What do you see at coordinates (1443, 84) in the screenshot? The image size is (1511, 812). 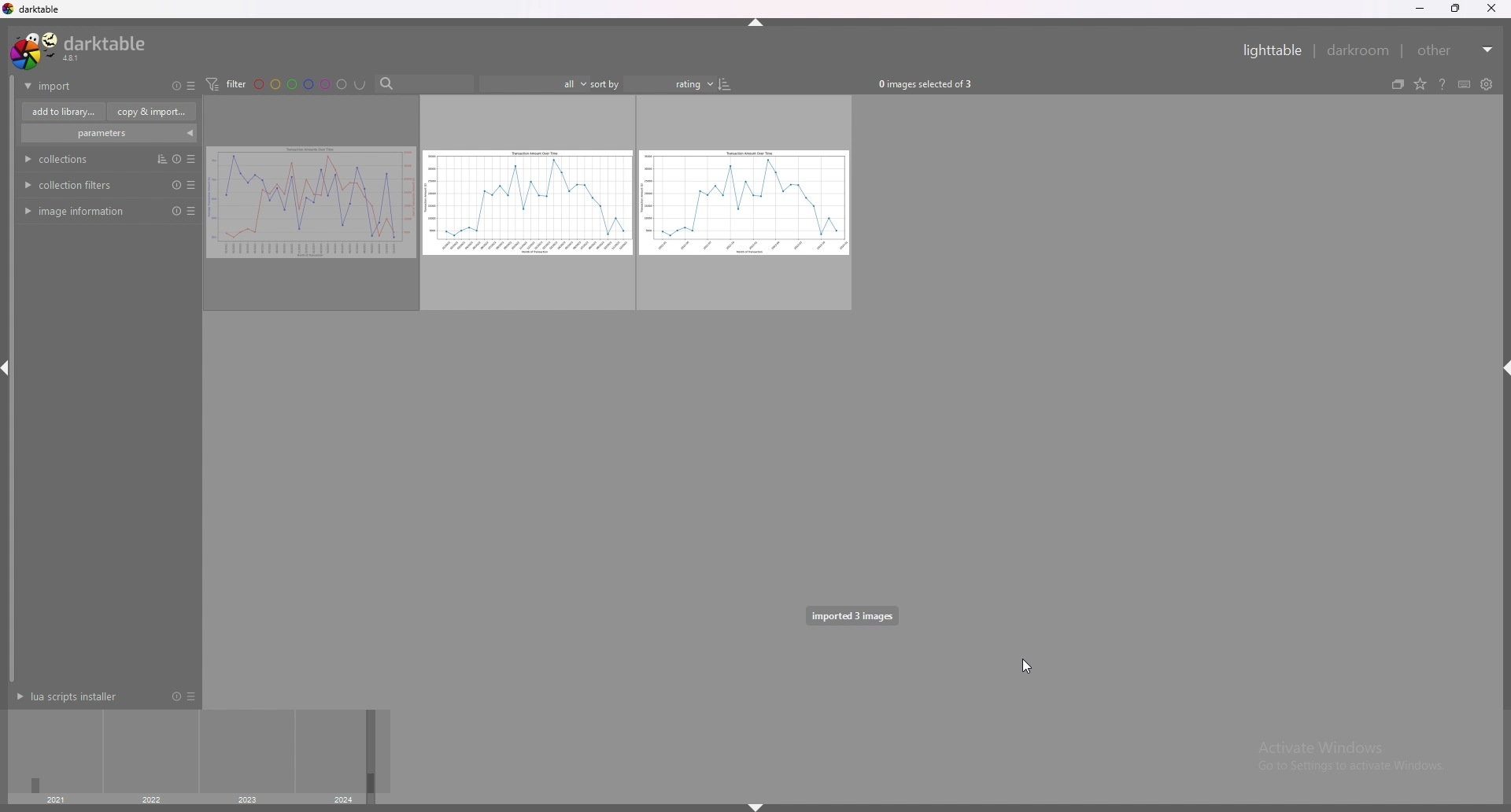 I see `help` at bounding box center [1443, 84].